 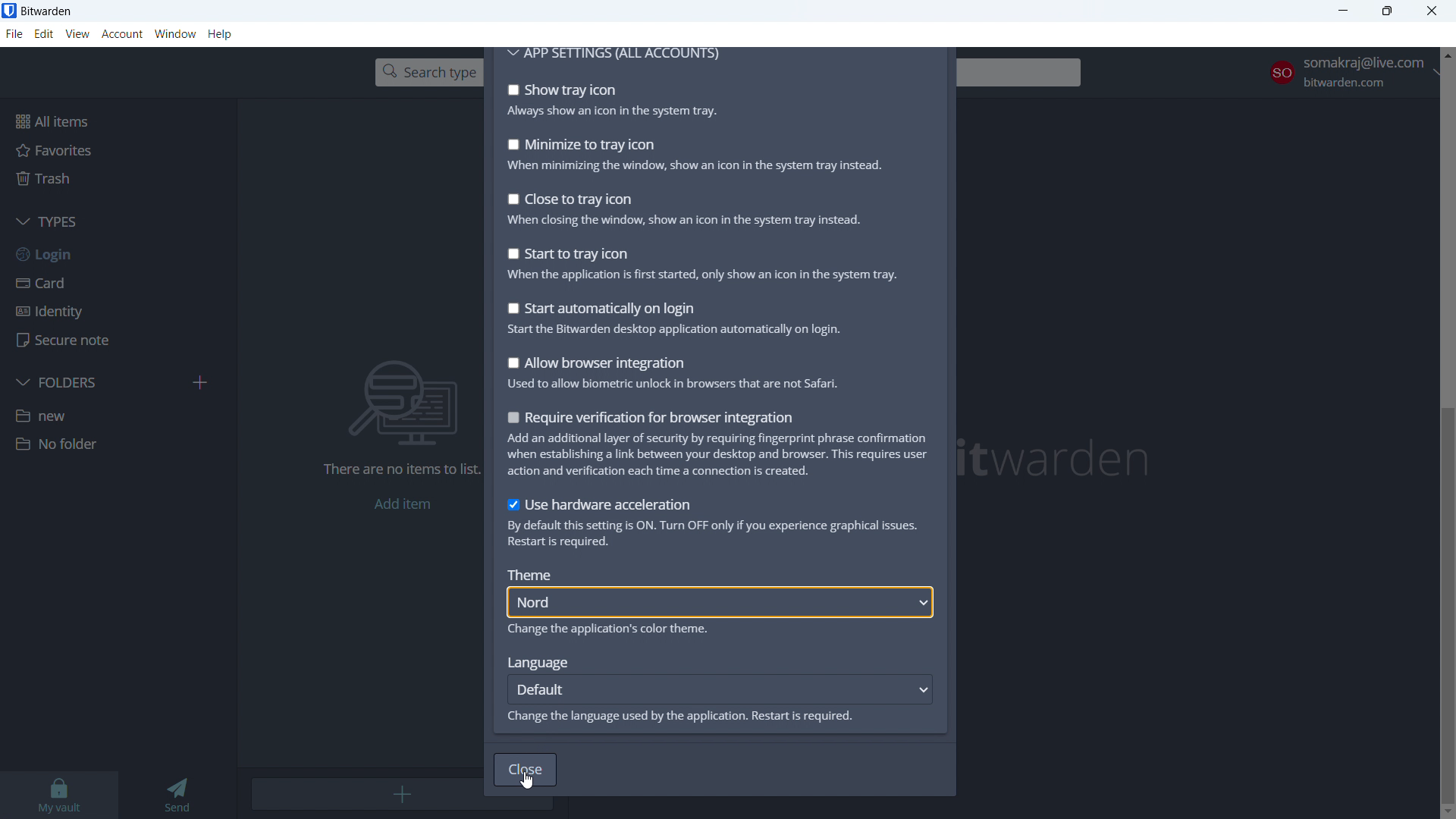 What do you see at coordinates (716, 372) in the screenshot?
I see `all browser integration` at bounding box center [716, 372].